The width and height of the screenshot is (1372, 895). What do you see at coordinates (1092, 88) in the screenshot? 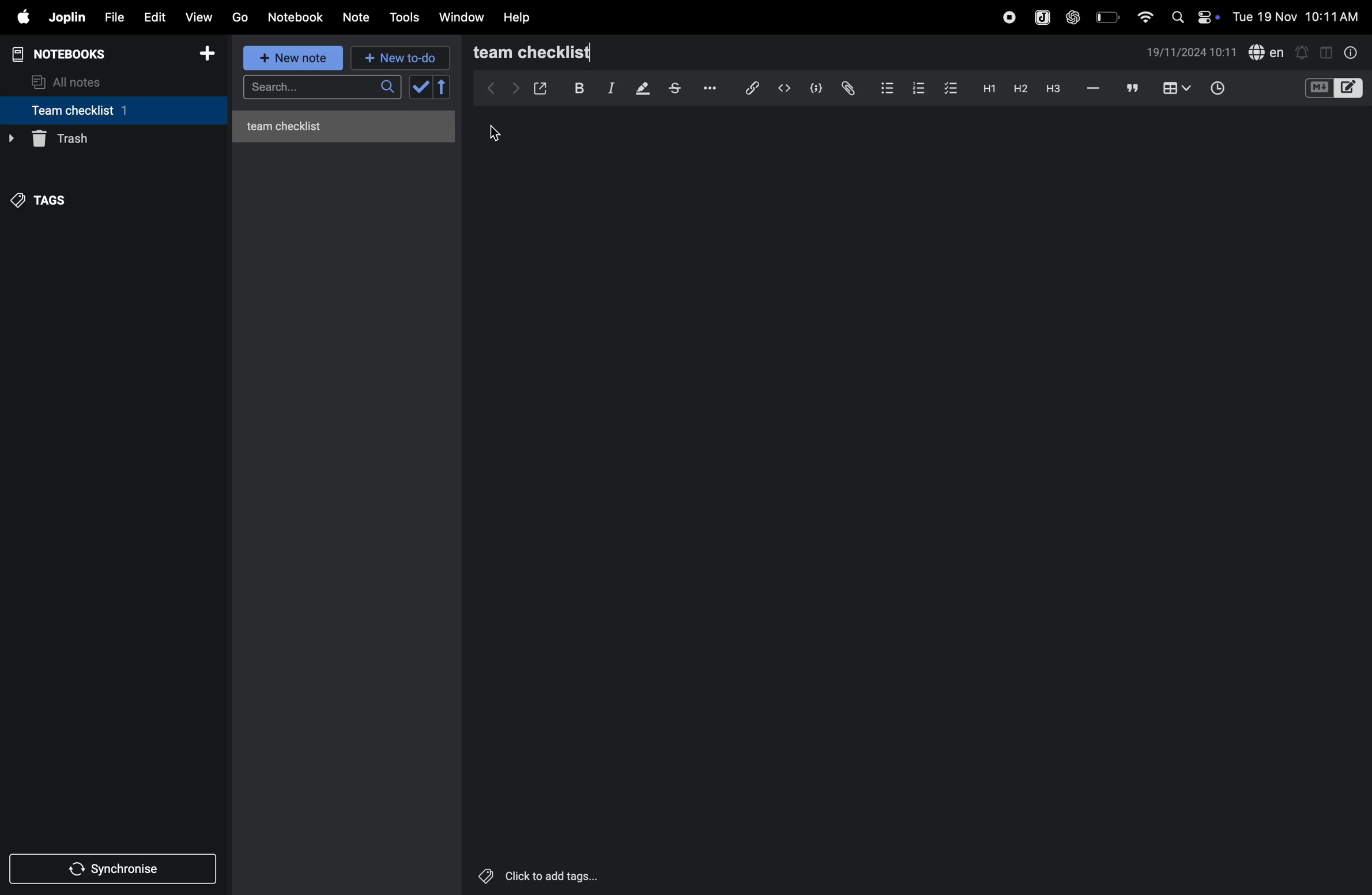
I see `hifen` at bounding box center [1092, 88].